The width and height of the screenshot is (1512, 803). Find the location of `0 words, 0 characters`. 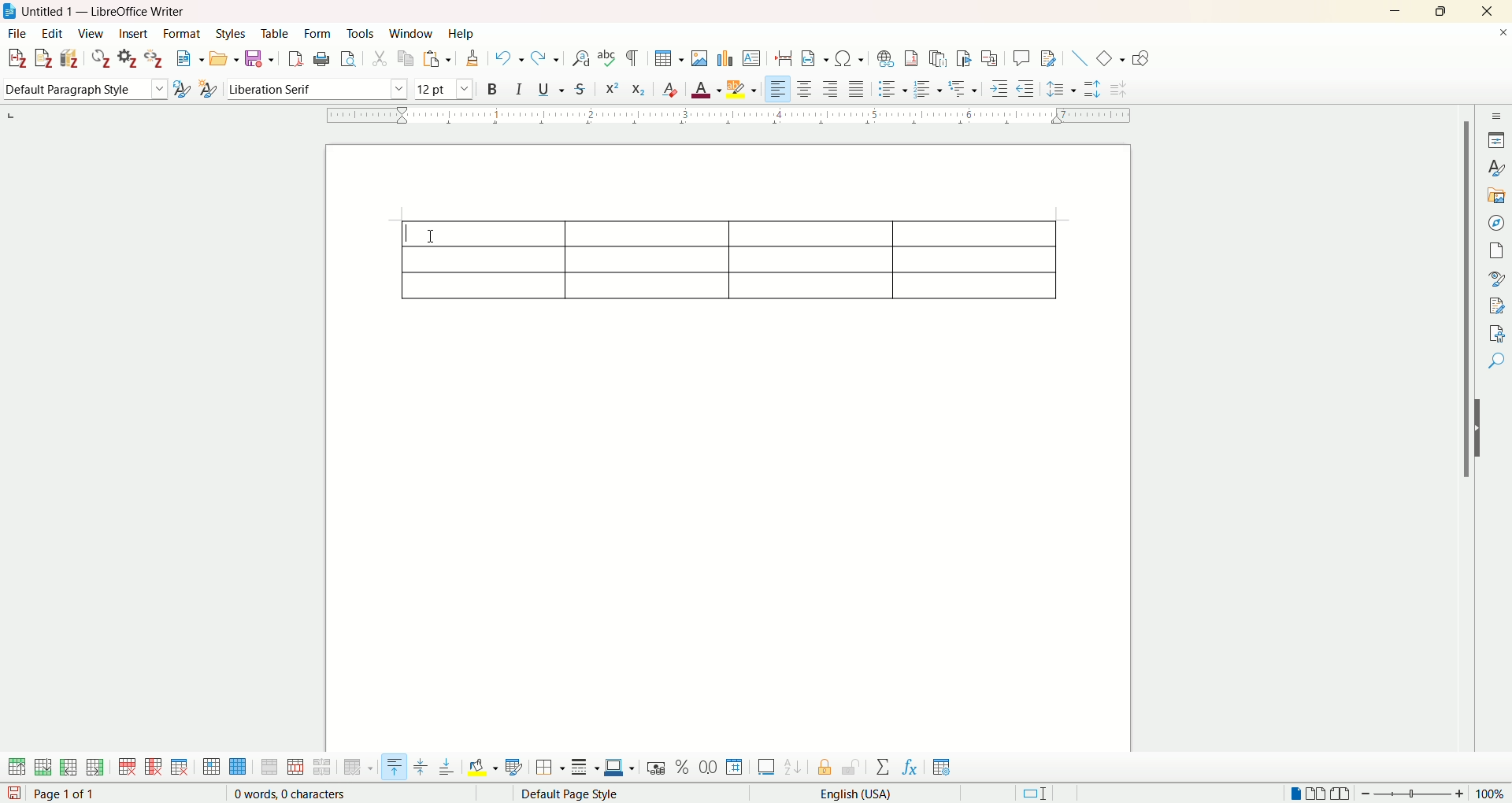

0 words, 0 characters is located at coordinates (292, 793).